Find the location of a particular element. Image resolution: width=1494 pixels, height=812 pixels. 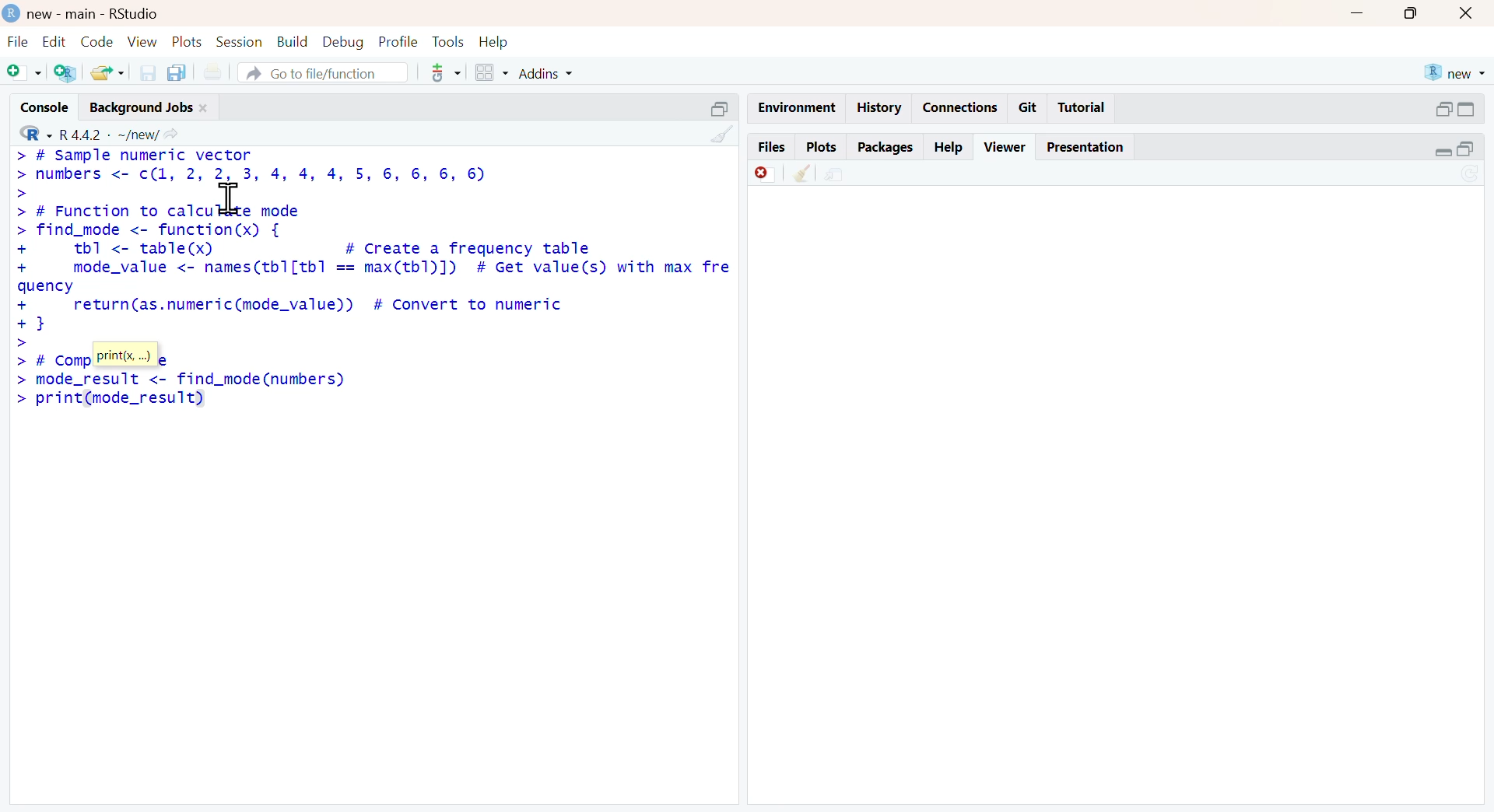

sync is located at coordinates (1471, 176).